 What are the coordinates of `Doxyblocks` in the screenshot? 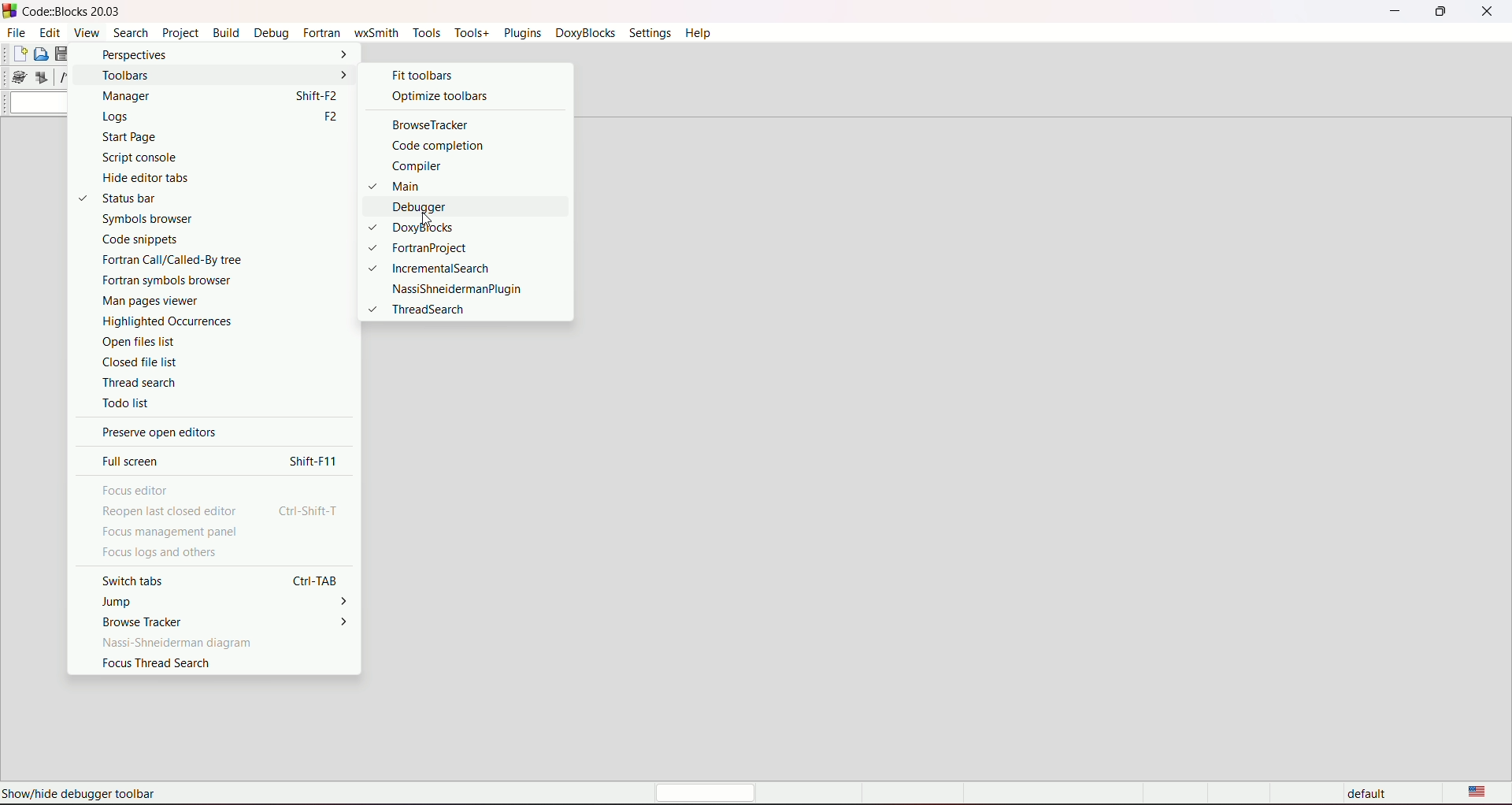 It's located at (438, 228).